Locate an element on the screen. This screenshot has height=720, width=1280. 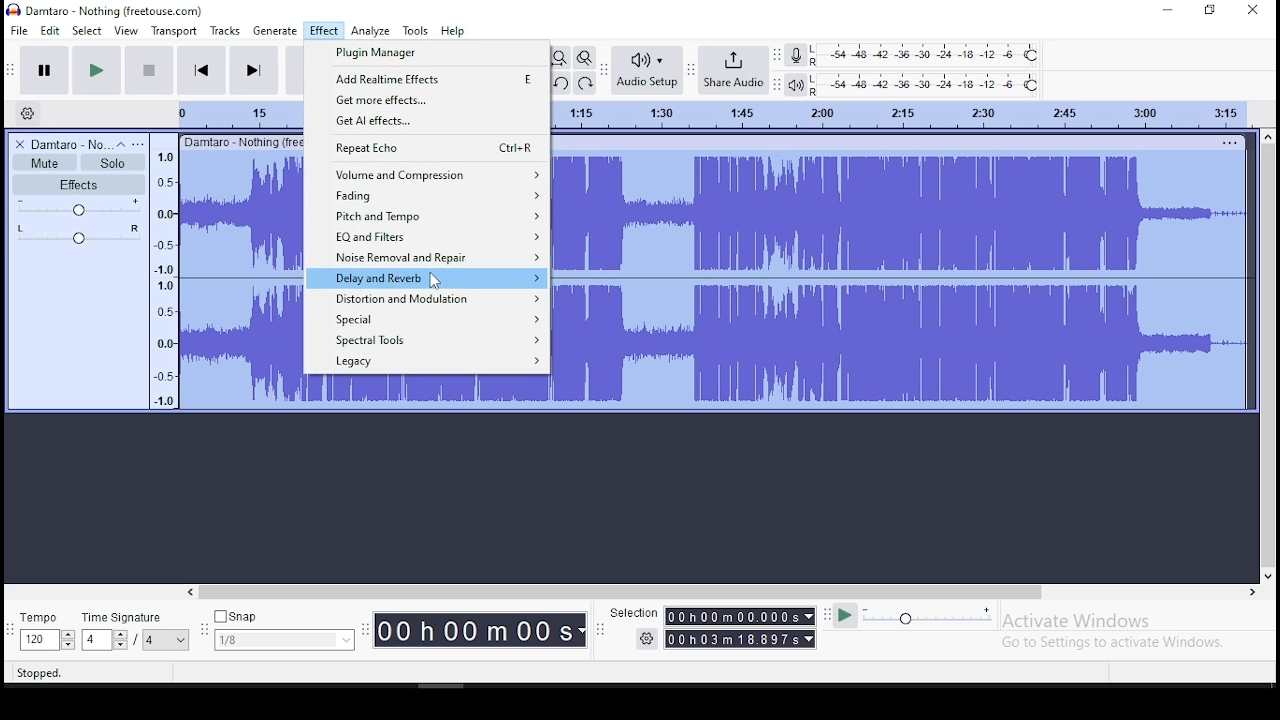
spectral tools is located at coordinates (427, 339).